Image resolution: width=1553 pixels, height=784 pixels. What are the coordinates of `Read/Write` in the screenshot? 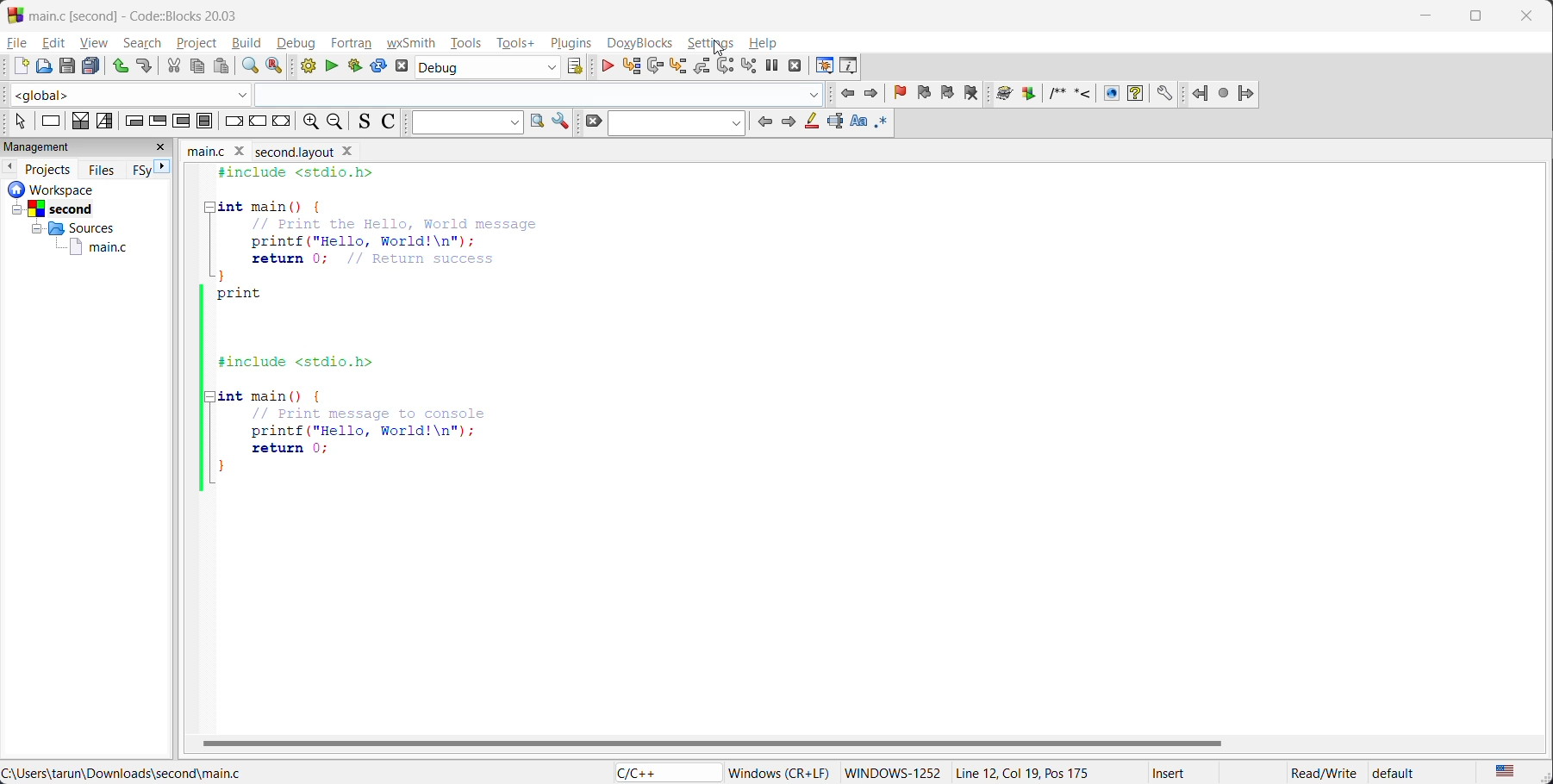 It's located at (1323, 771).